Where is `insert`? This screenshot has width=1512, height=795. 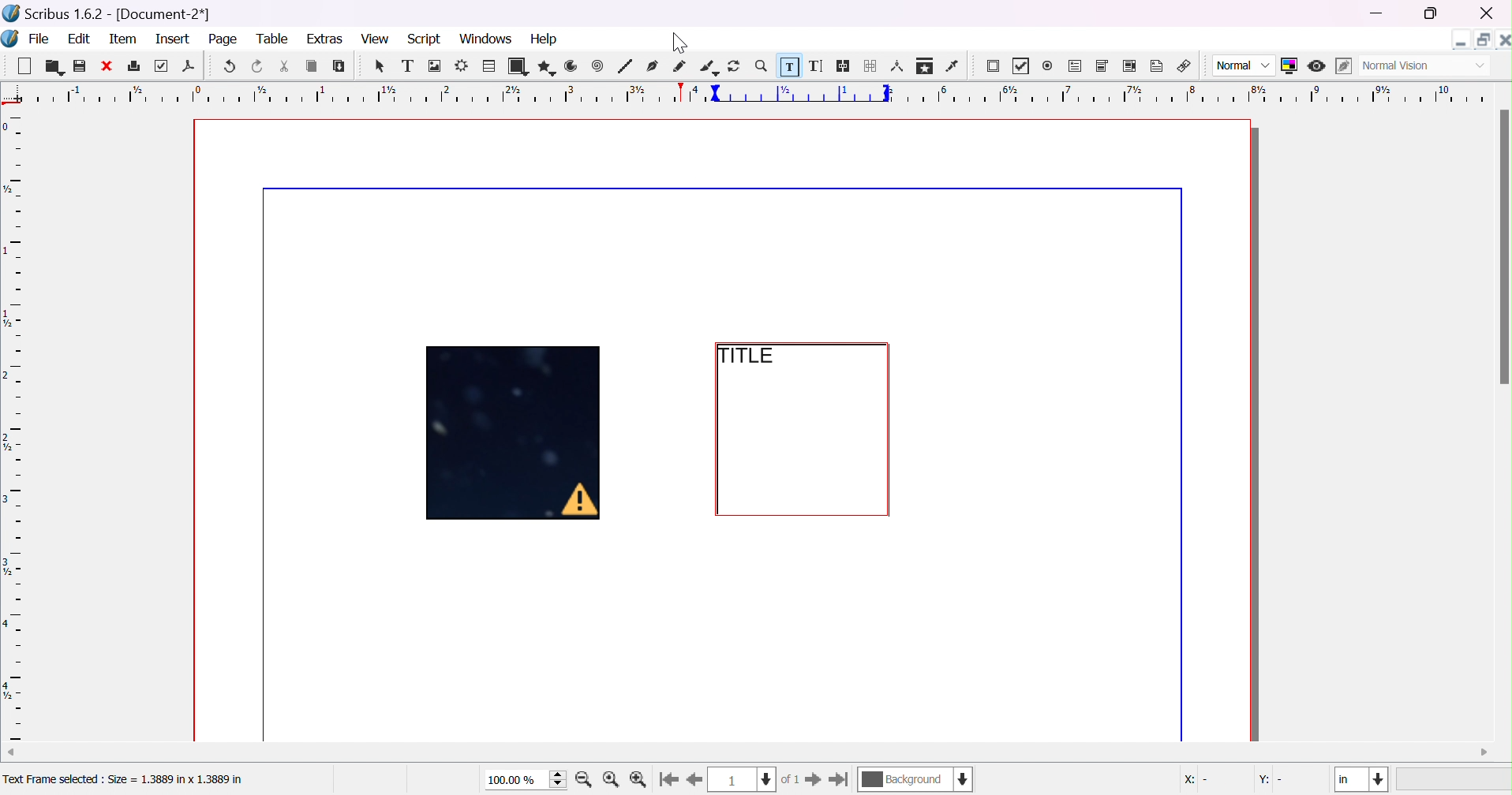 insert is located at coordinates (175, 39).